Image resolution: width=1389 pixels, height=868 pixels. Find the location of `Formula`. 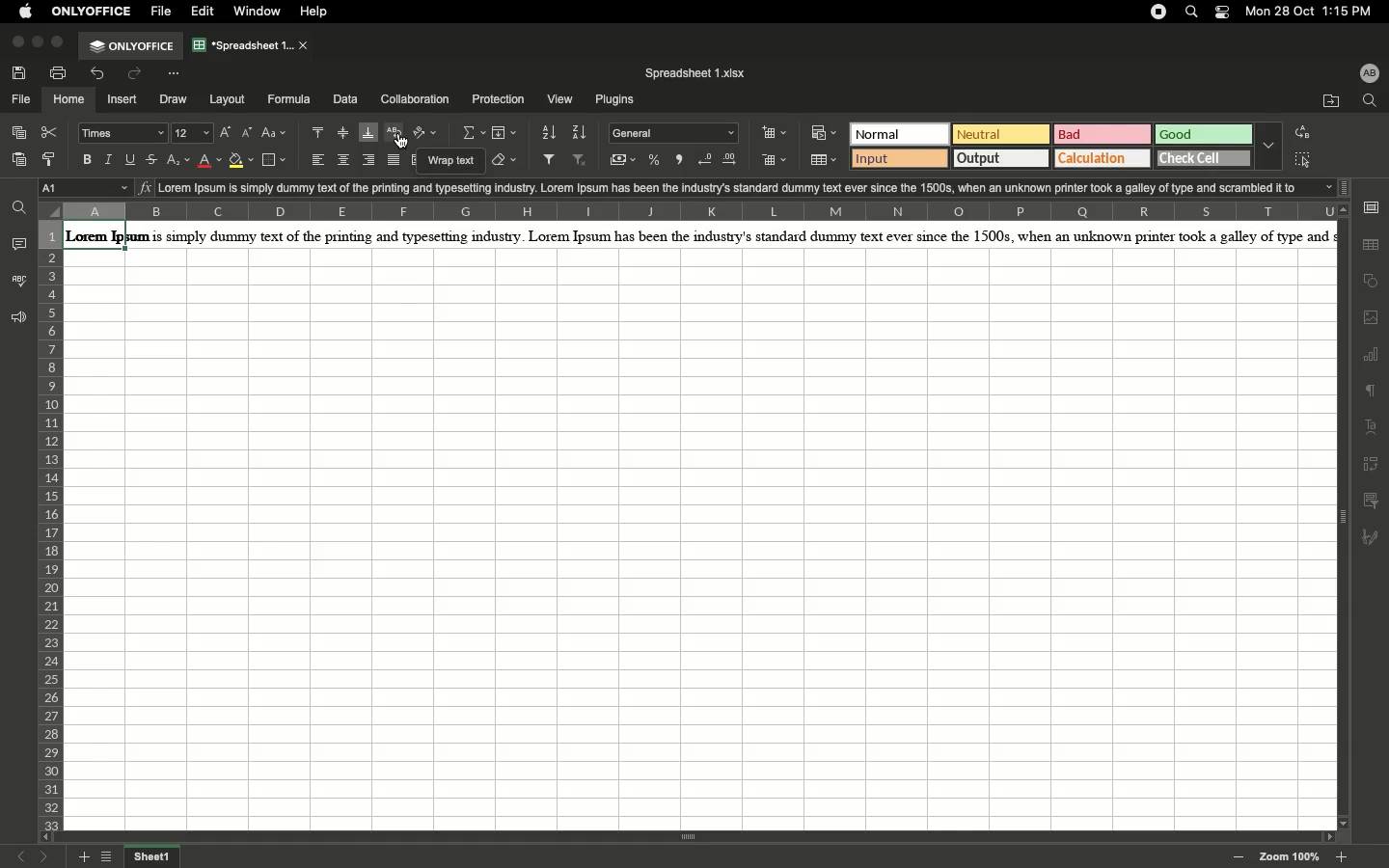

Formula is located at coordinates (289, 100).